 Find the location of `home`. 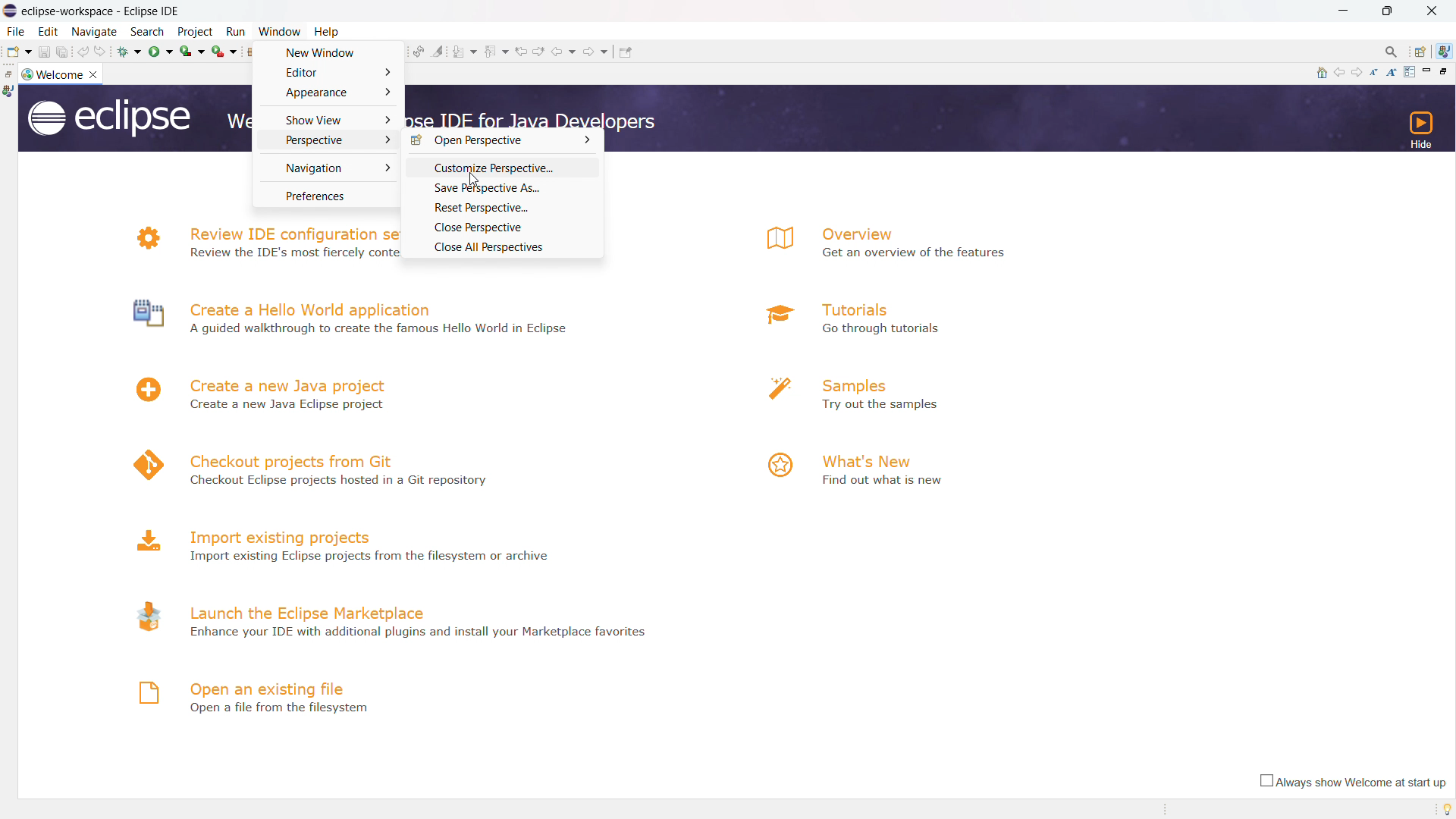

home is located at coordinates (1320, 73).